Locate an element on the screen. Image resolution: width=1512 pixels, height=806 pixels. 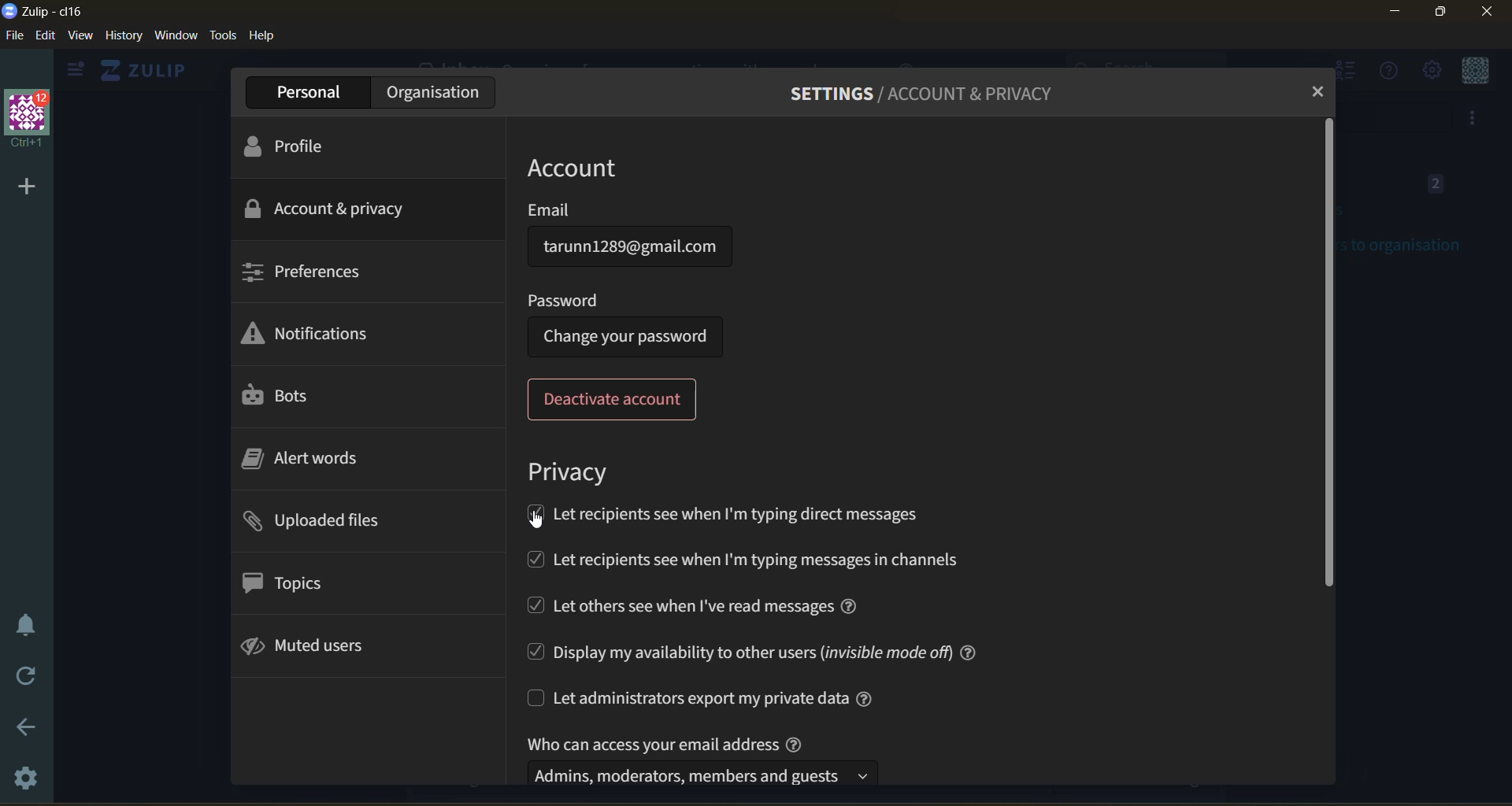
let recepients see when I'm typing direct messages is located at coordinates (744, 515).